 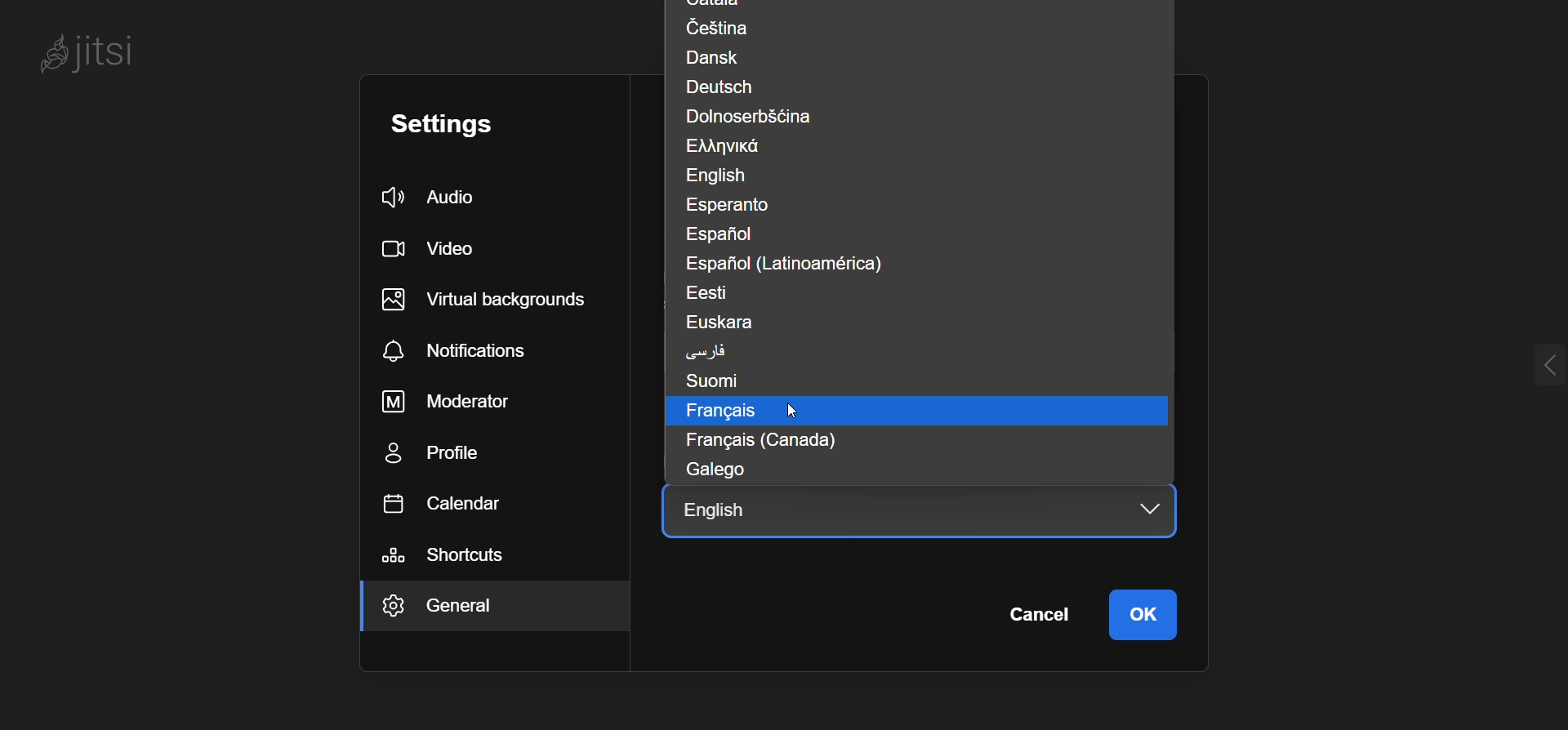 I want to click on Galego, so click(x=711, y=469).